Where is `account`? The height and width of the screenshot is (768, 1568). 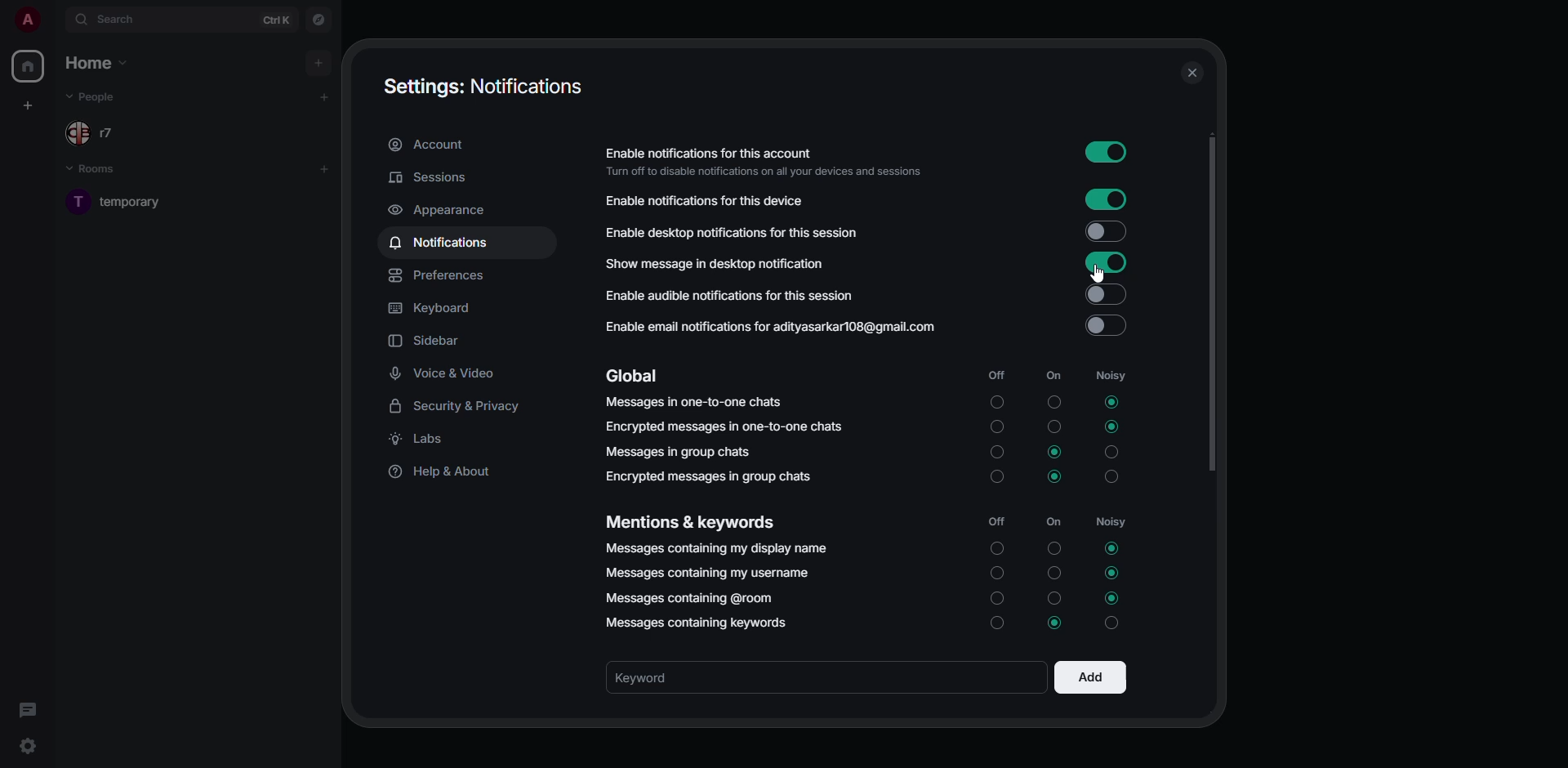 account is located at coordinates (429, 144).